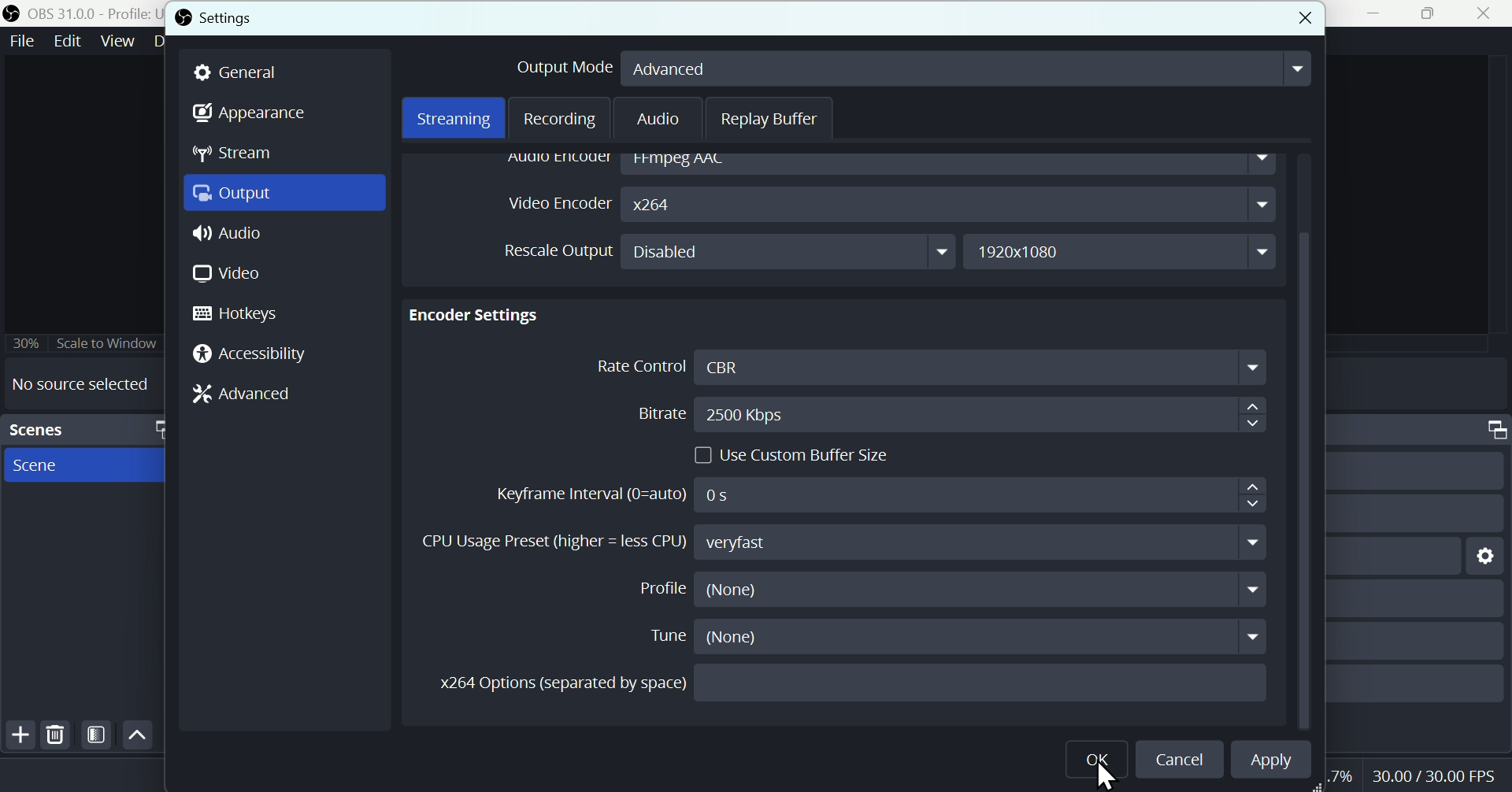  What do you see at coordinates (1123, 248) in the screenshot?
I see `1920x1080` at bounding box center [1123, 248].